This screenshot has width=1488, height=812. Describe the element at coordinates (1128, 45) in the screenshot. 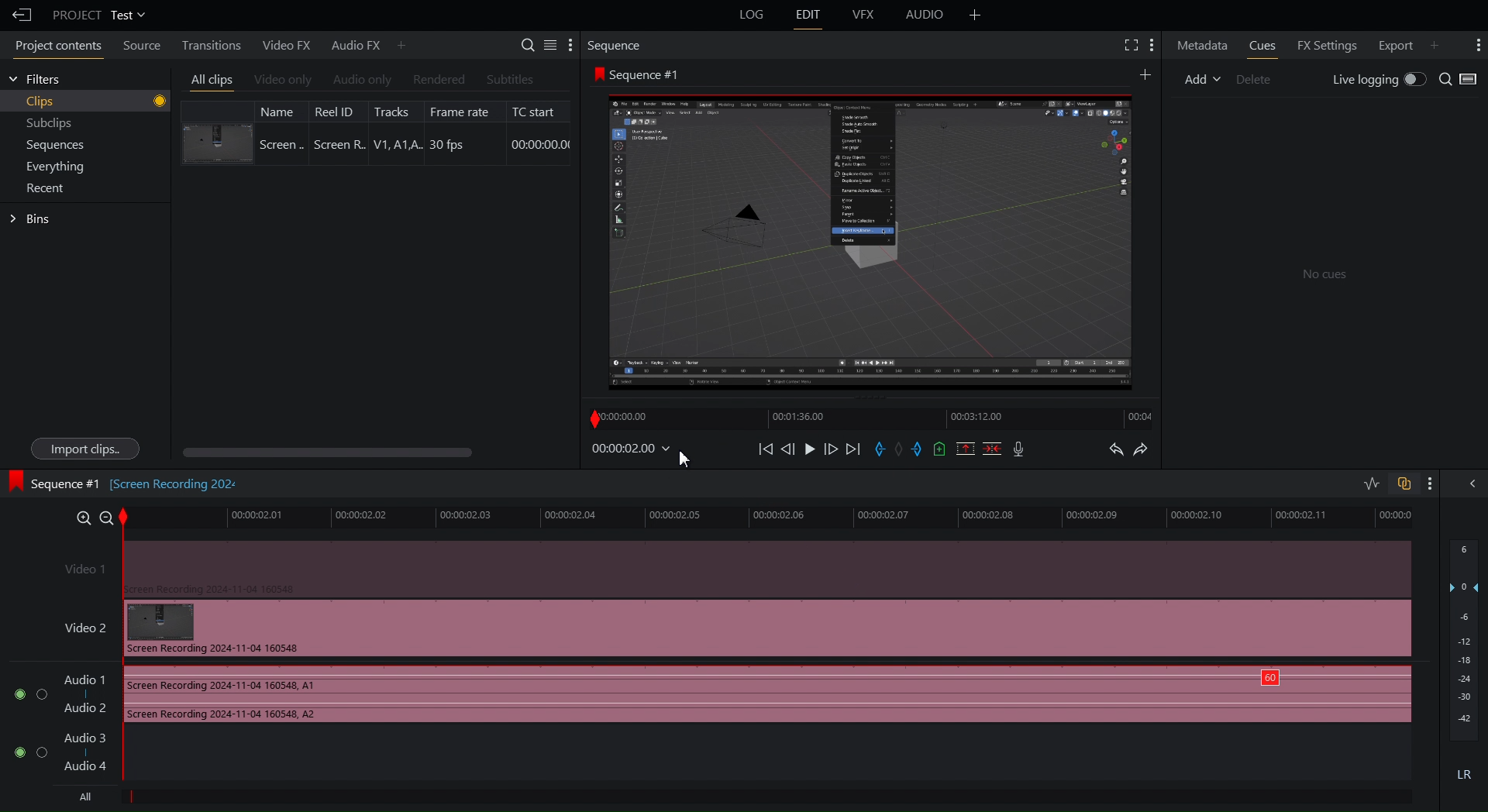

I see `Fullscreen` at that location.